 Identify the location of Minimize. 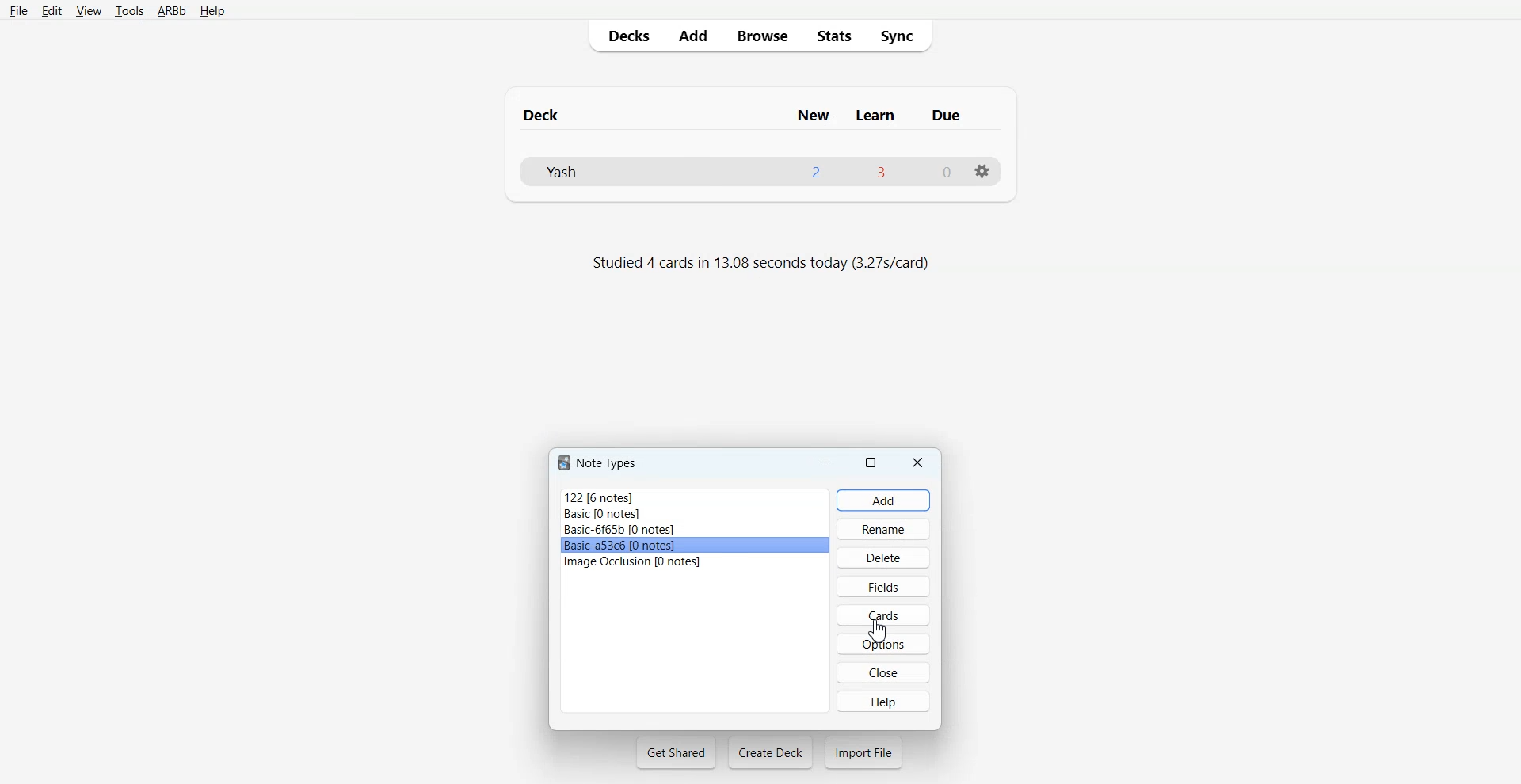
(825, 462).